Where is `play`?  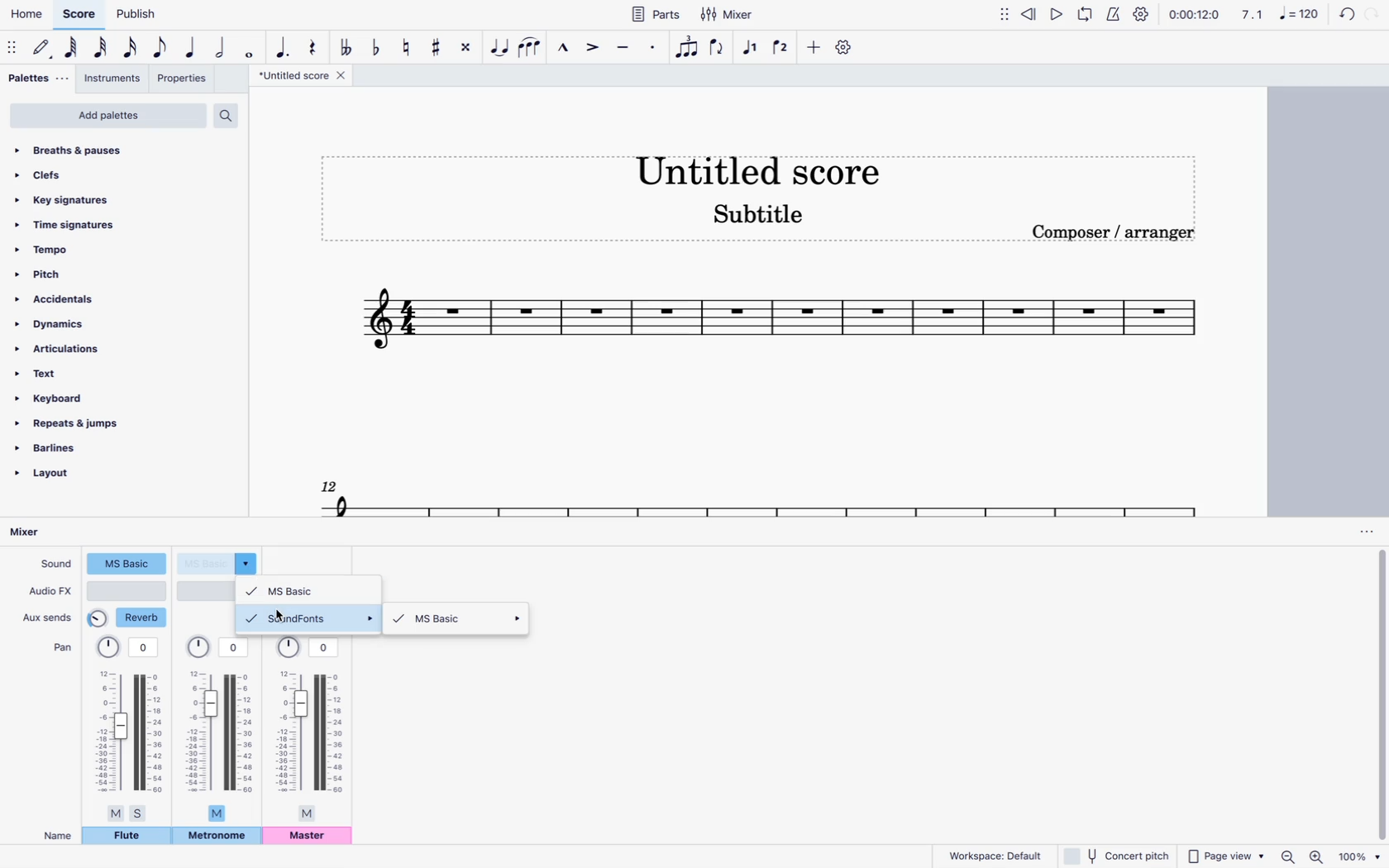
play is located at coordinates (1056, 14).